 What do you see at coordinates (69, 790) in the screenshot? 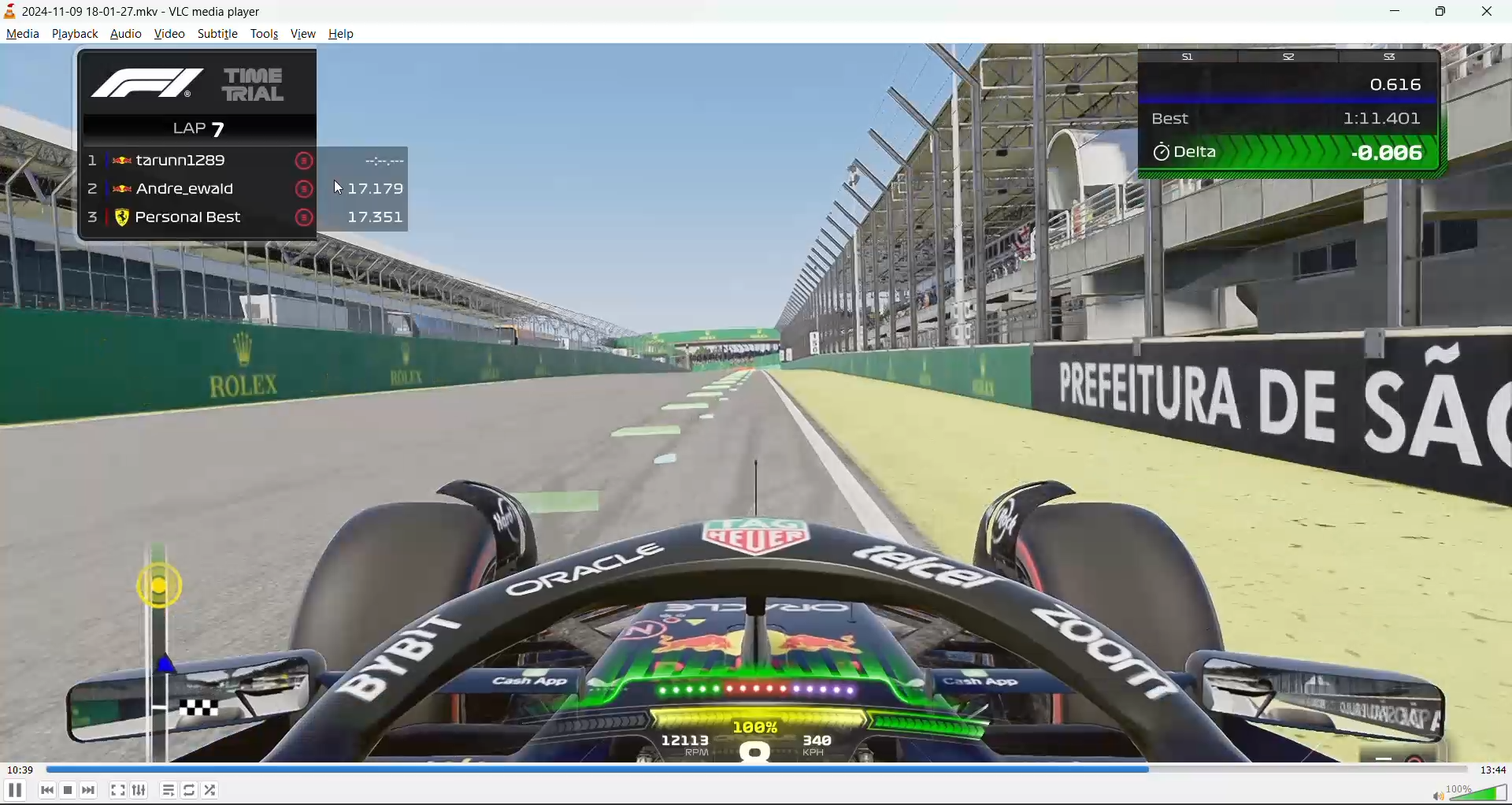
I see `stop` at bounding box center [69, 790].